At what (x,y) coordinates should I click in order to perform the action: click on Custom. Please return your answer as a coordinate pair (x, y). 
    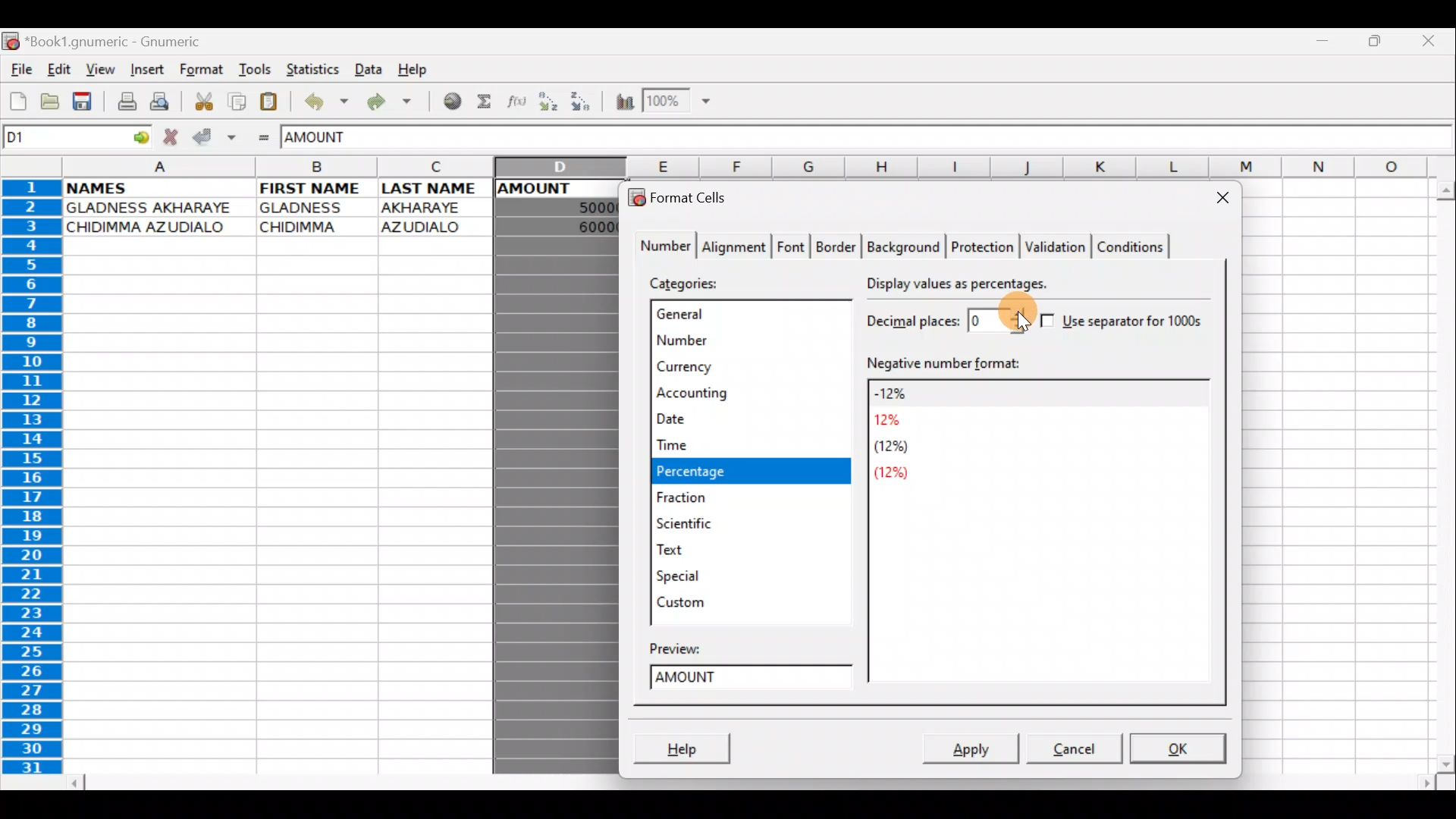
    Looking at the image, I should click on (686, 599).